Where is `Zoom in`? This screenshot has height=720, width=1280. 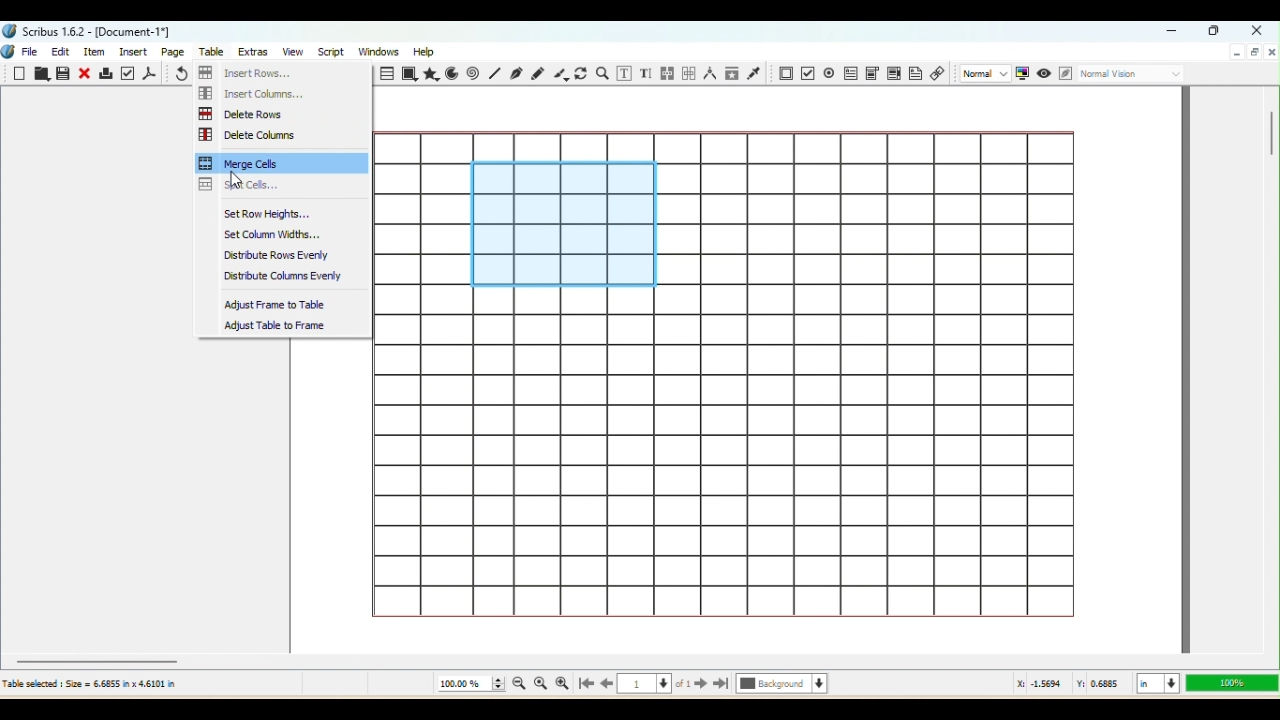
Zoom in is located at coordinates (562, 684).